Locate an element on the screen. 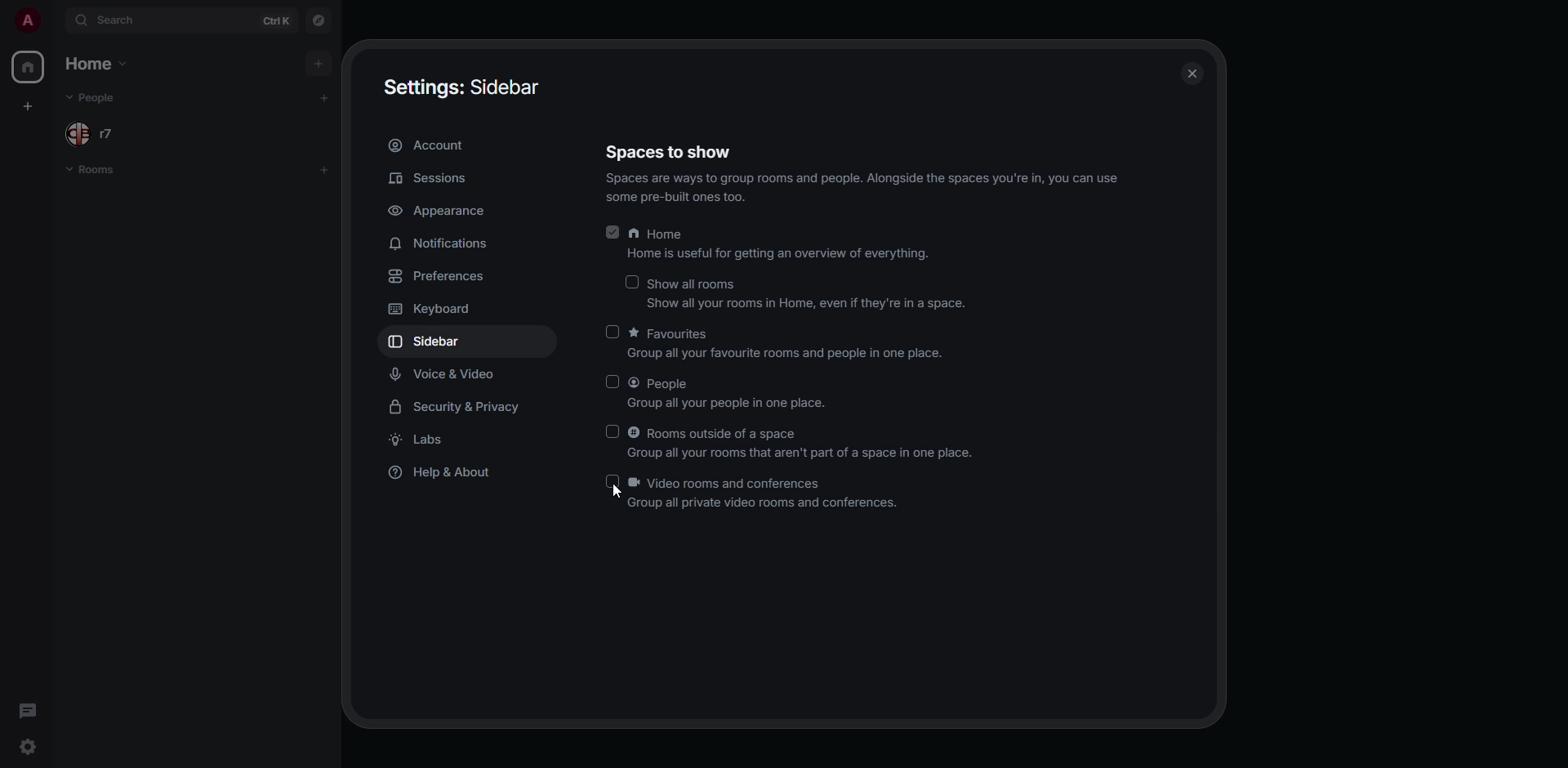  preferences is located at coordinates (439, 280).